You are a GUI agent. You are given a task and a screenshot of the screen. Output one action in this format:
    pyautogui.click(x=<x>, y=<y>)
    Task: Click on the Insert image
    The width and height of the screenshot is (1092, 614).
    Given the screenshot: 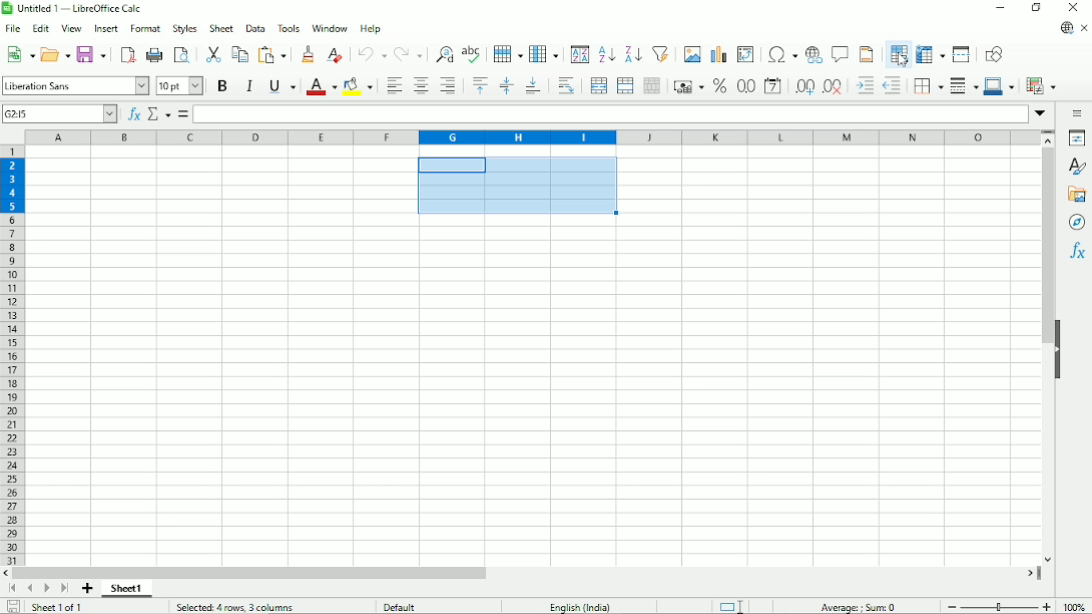 What is the action you would take?
    pyautogui.click(x=691, y=53)
    